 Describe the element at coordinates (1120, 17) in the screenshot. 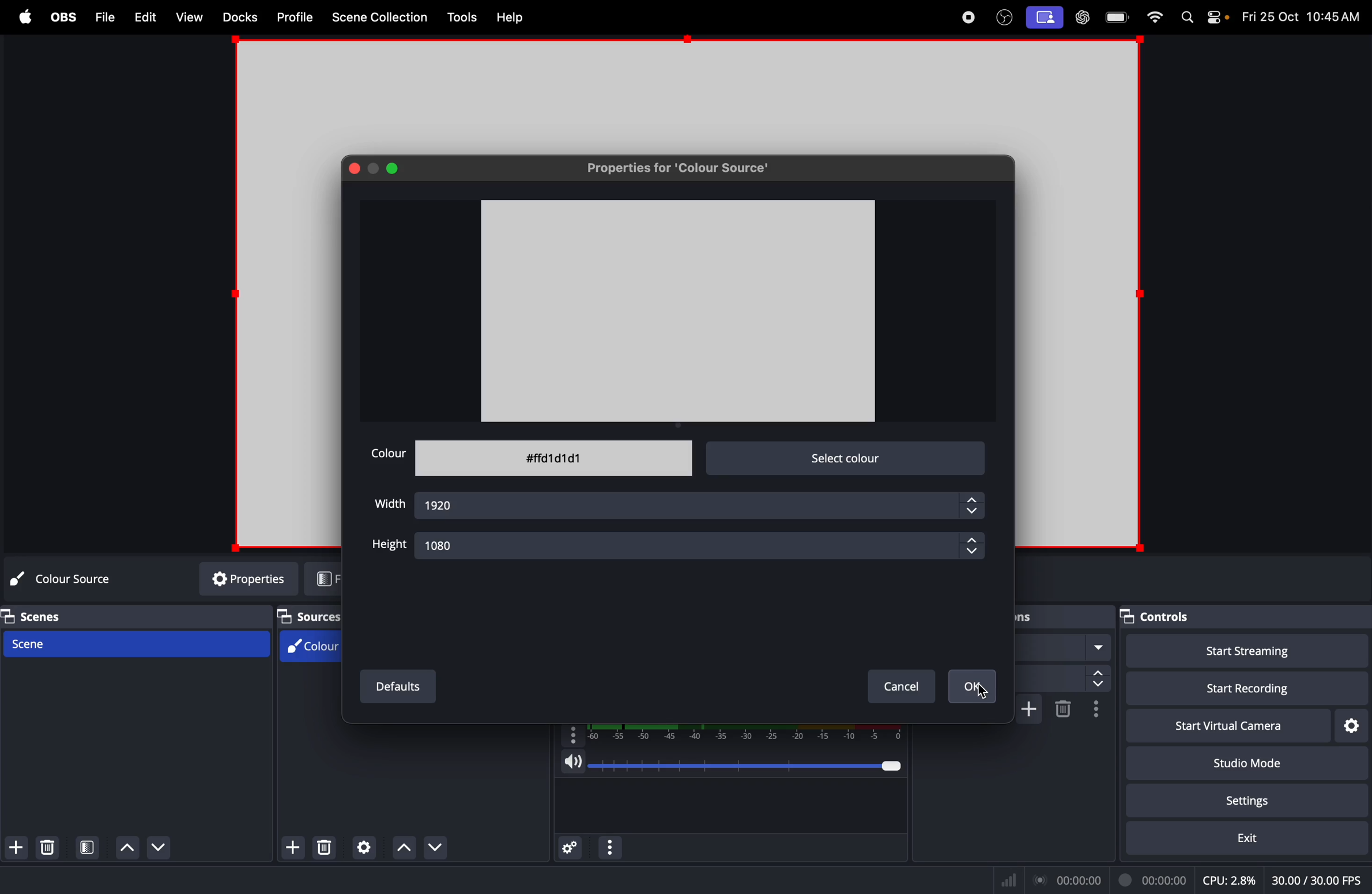

I see `battery` at that location.